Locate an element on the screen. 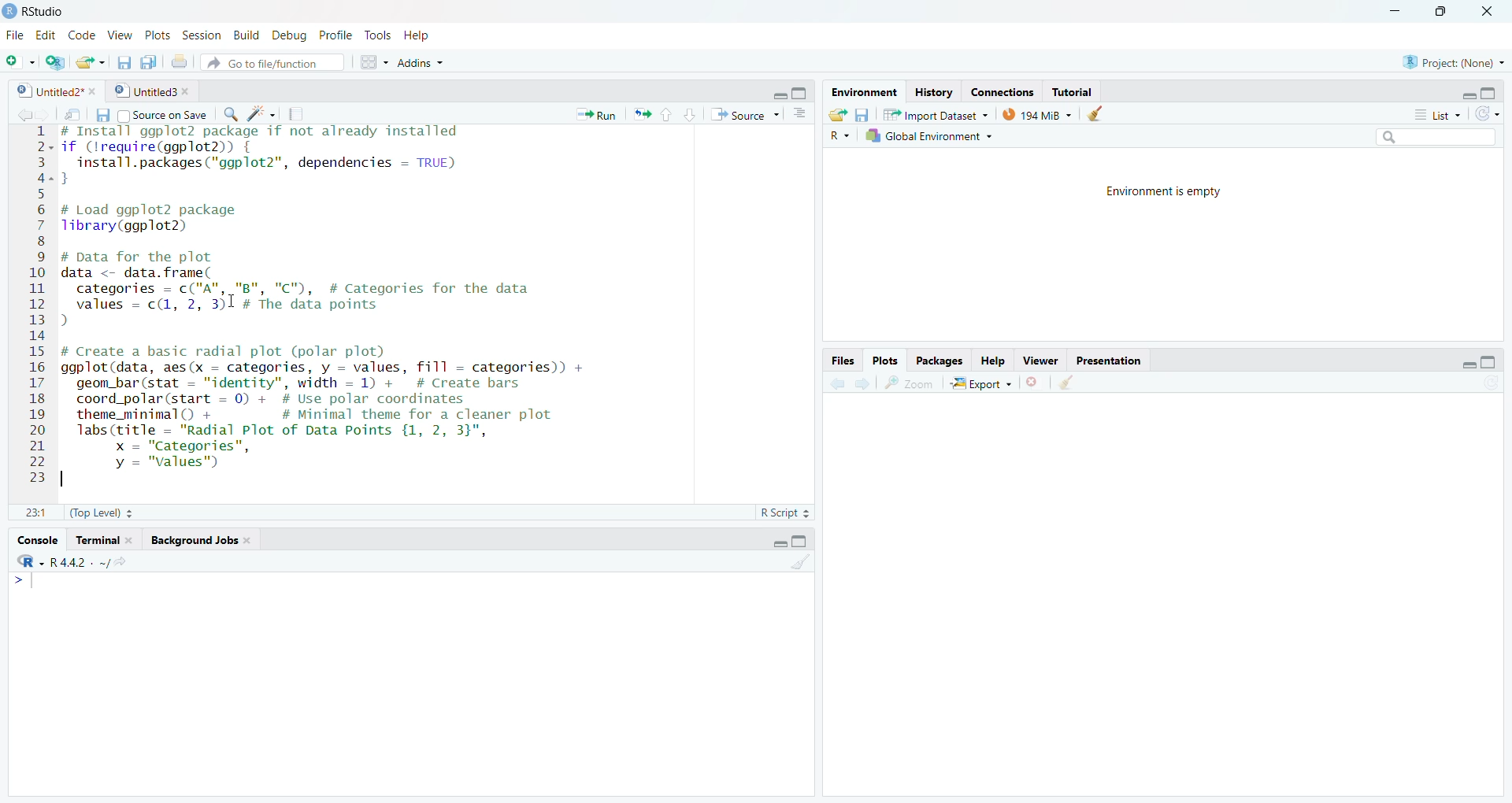 Image resolution: width=1512 pixels, height=803 pixels. Plots is located at coordinates (888, 361).